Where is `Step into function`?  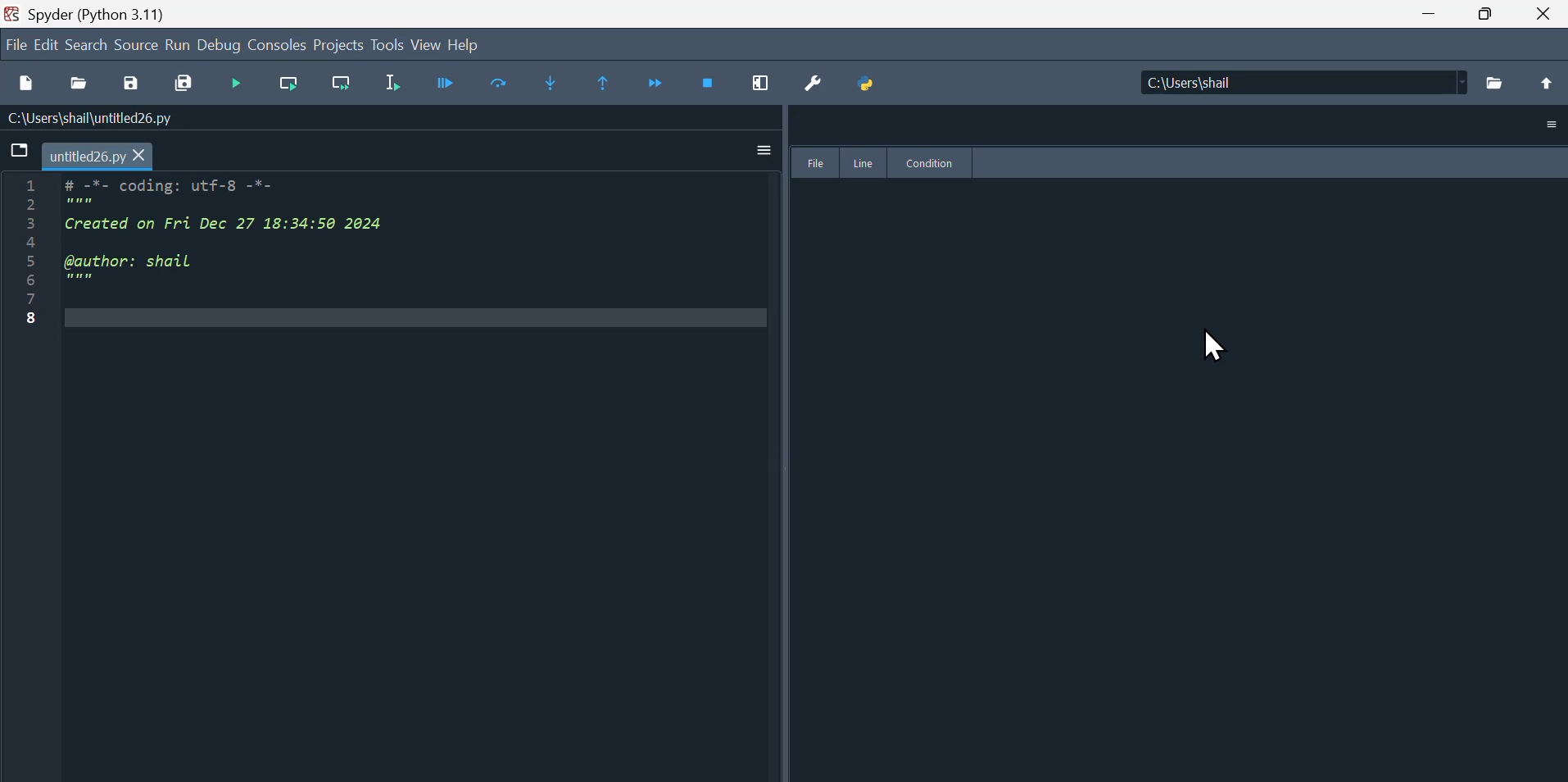
Step into function is located at coordinates (558, 84).